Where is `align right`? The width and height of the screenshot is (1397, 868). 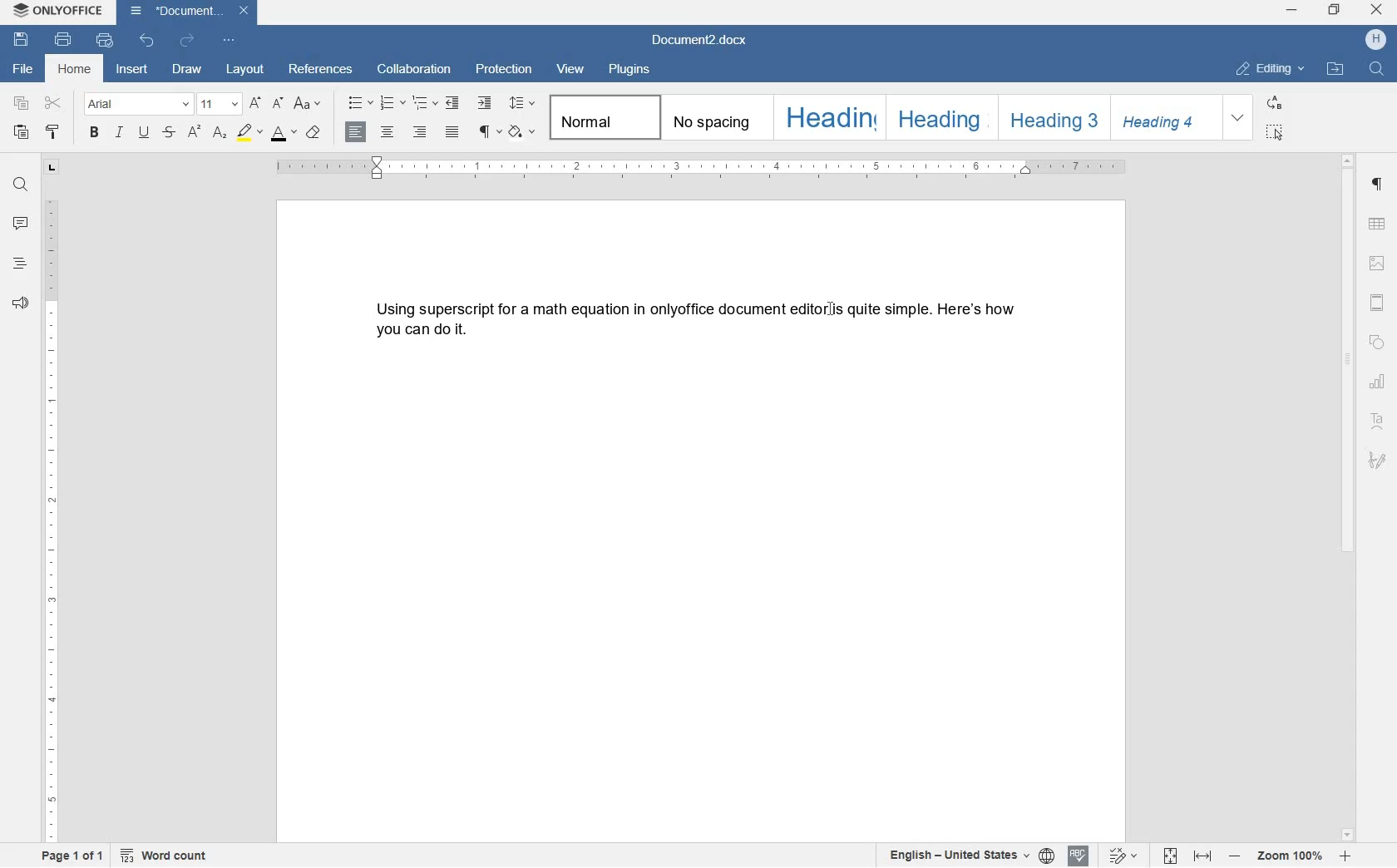 align right is located at coordinates (421, 132).